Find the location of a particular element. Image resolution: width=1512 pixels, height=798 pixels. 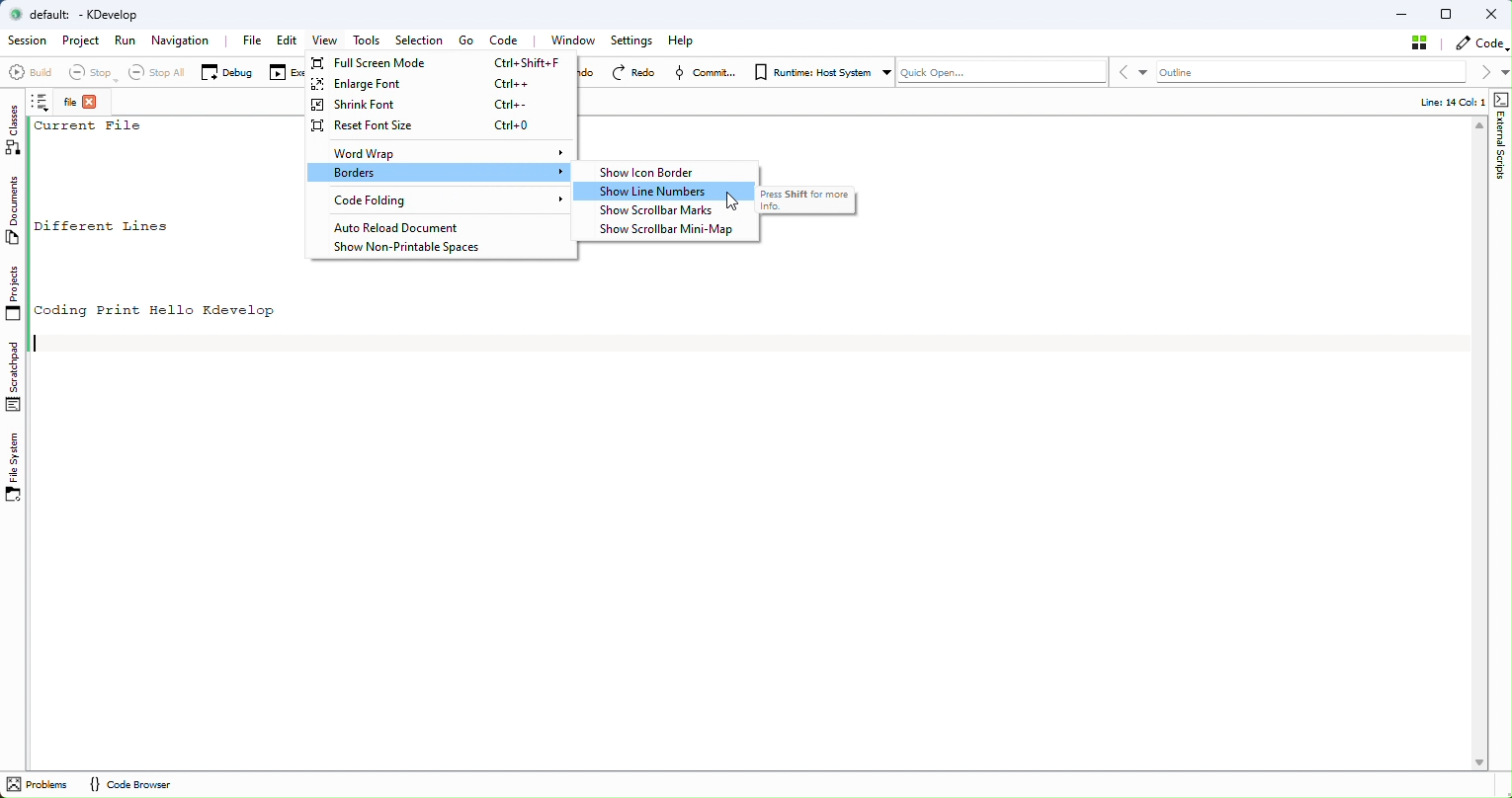

Minimize is located at coordinates (1402, 13).